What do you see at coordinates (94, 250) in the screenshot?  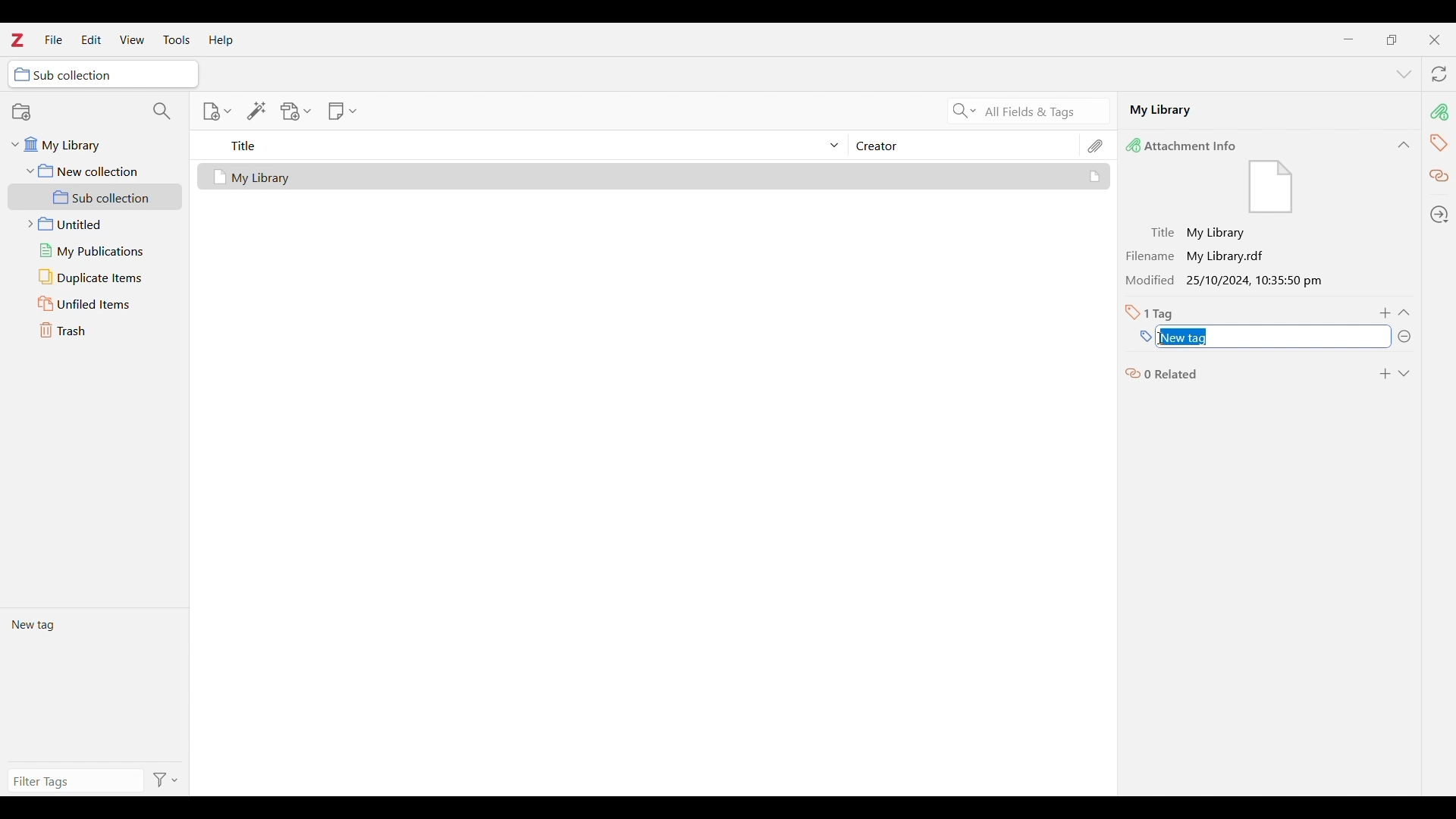 I see `My publications folder` at bounding box center [94, 250].